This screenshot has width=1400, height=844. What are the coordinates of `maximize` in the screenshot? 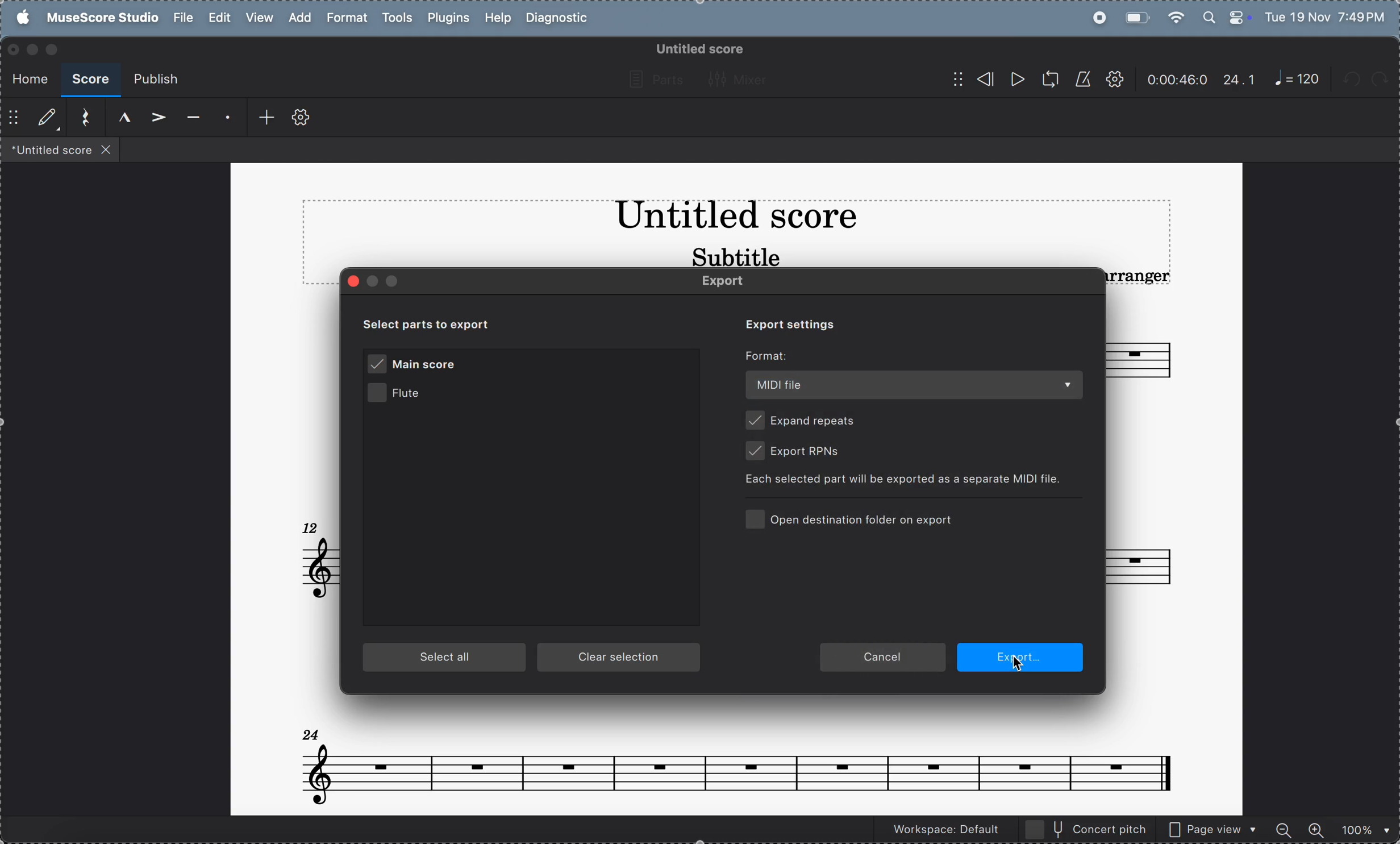 It's located at (55, 49).